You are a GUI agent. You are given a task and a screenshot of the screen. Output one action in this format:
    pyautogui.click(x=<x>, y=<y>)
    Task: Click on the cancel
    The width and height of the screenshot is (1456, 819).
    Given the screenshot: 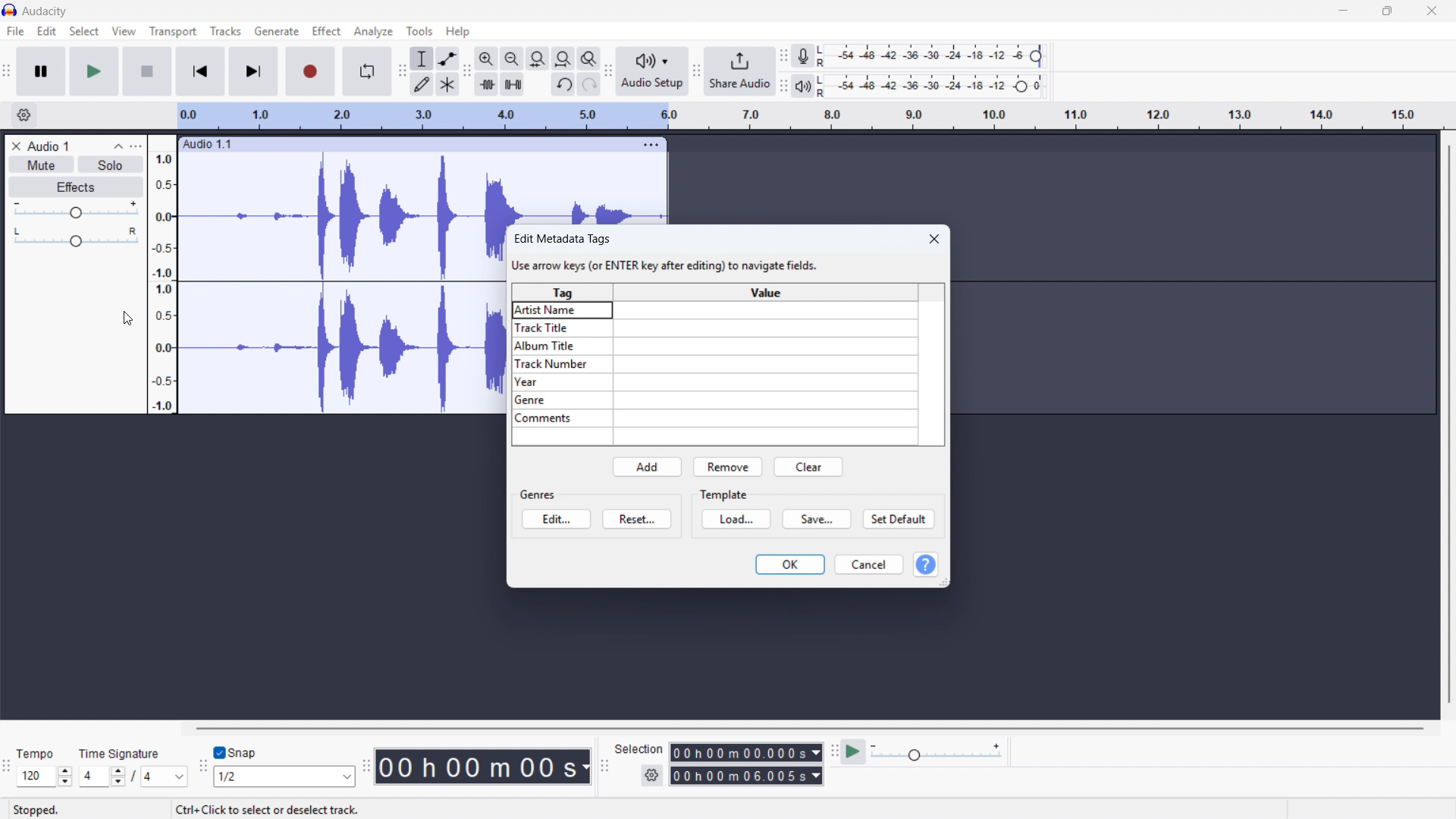 What is the action you would take?
    pyautogui.click(x=870, y=565)
    